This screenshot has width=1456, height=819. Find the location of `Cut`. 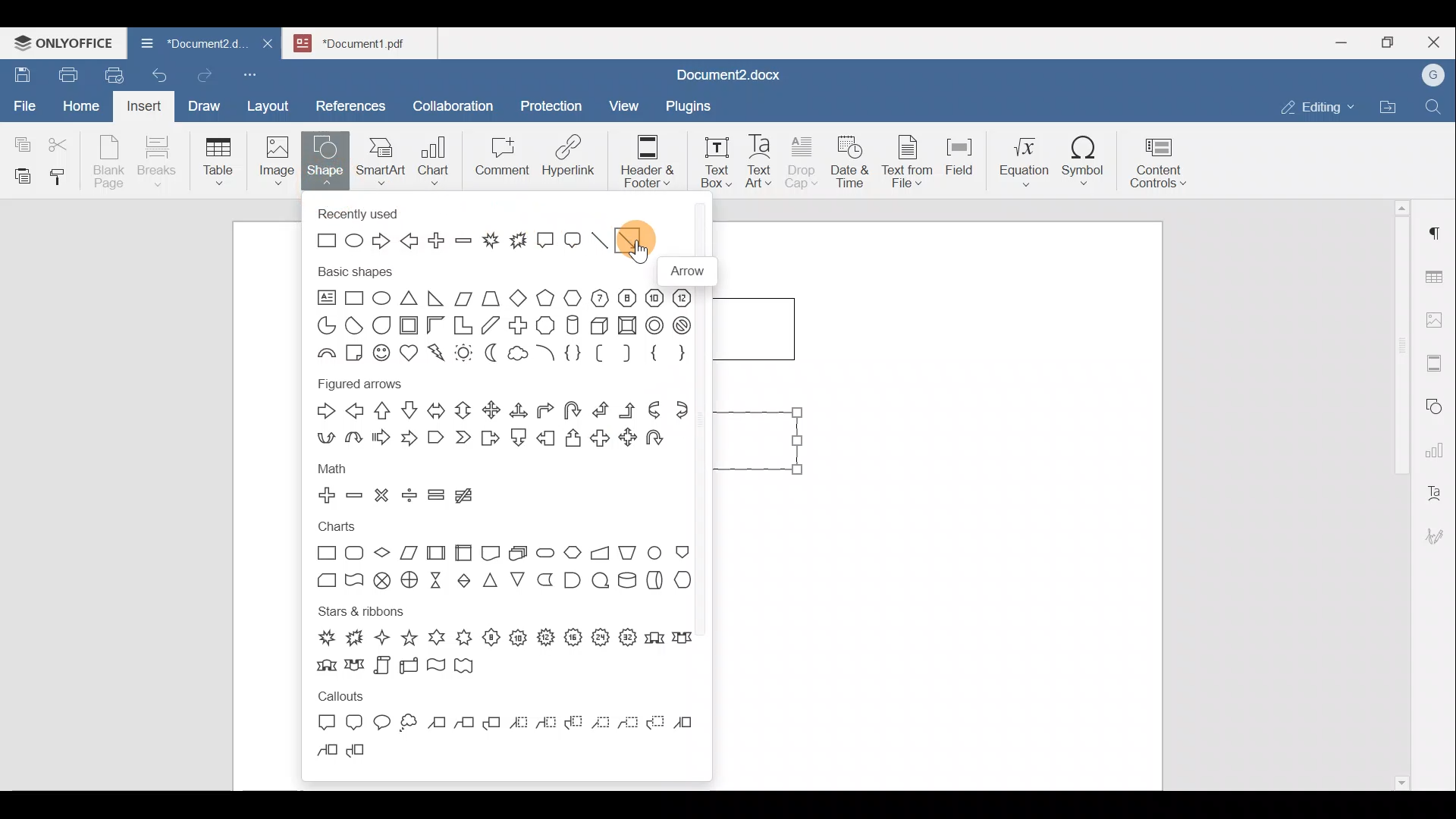

Cut is located at coordinates (64, 141).